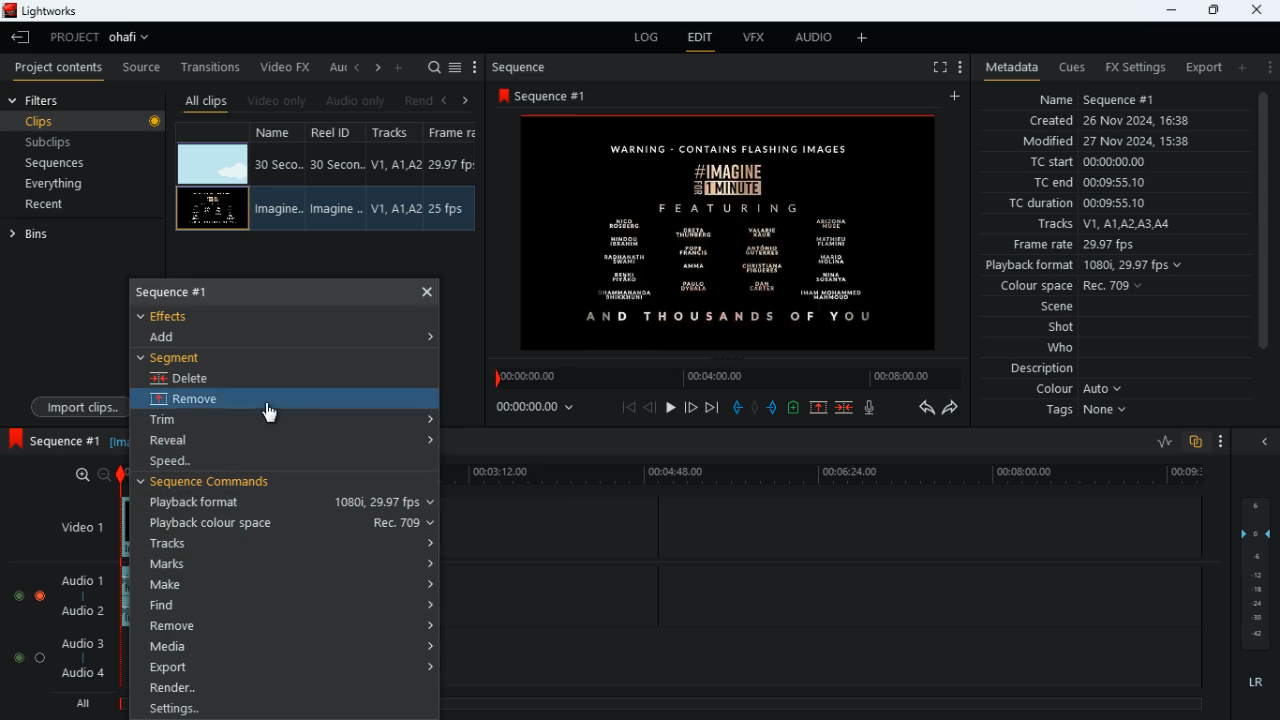 Image resolution: width=1280 pixels, height=720 pixels. I want to click on fullscreen, so click(937, 65).